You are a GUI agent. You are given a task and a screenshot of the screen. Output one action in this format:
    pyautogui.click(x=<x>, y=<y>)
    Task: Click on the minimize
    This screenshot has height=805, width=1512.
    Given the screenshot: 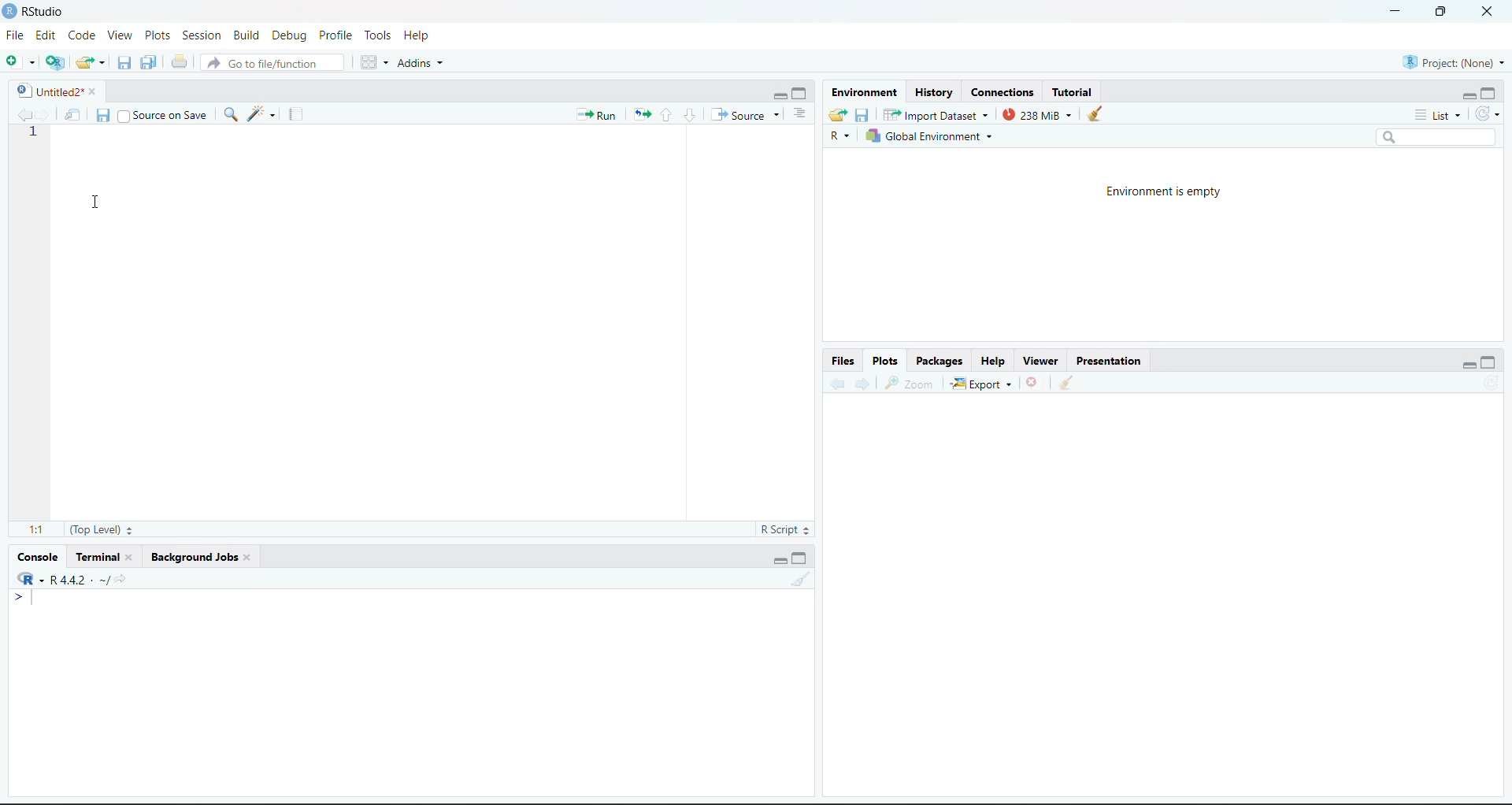 What is the action you would take?
    pyautogui.click(x=1468, y=98)
    